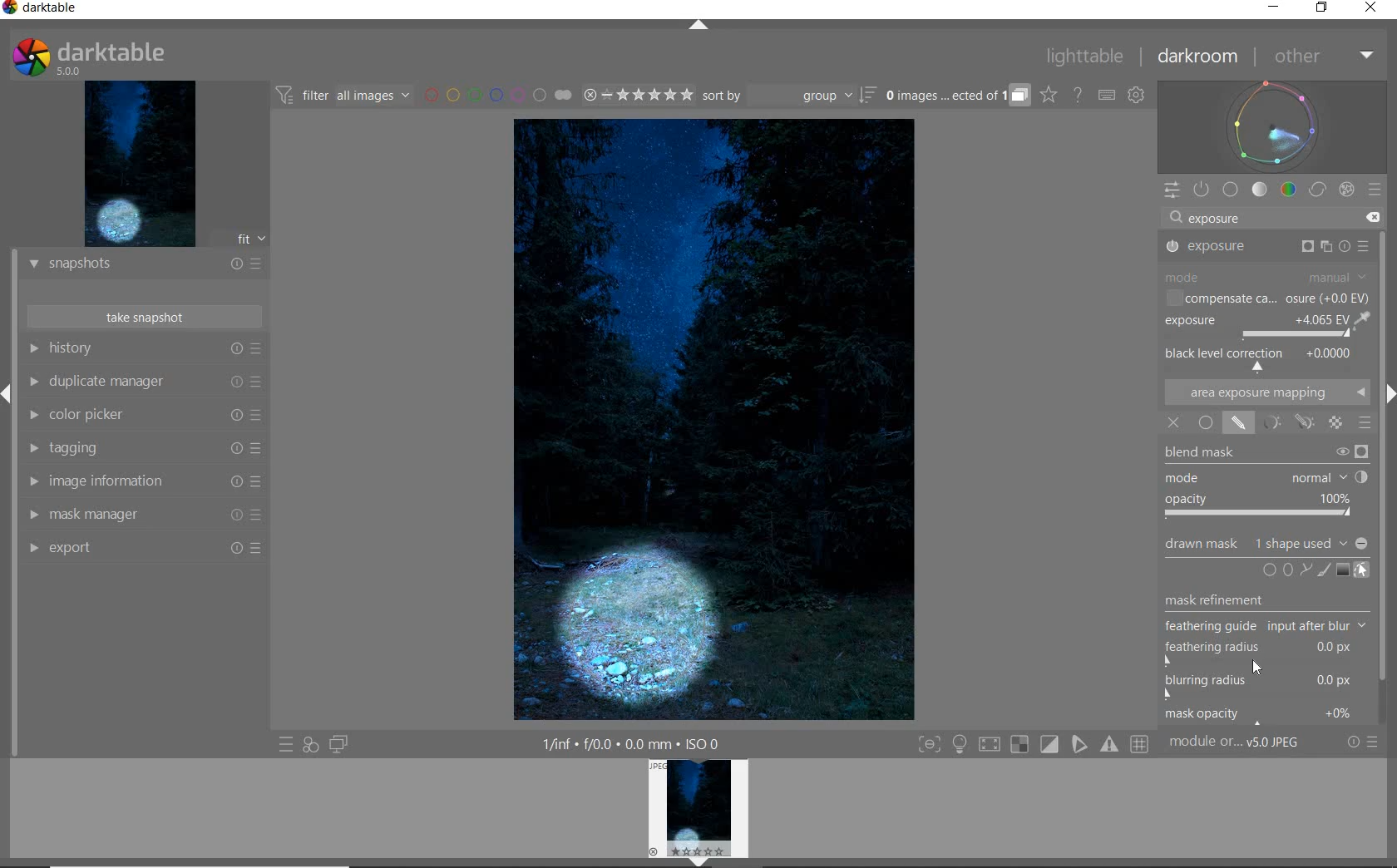 The height and width of the screenshot is (868, 1397). I want to click on AREA EXPOSURE MAPPING, so click(1266, 391).